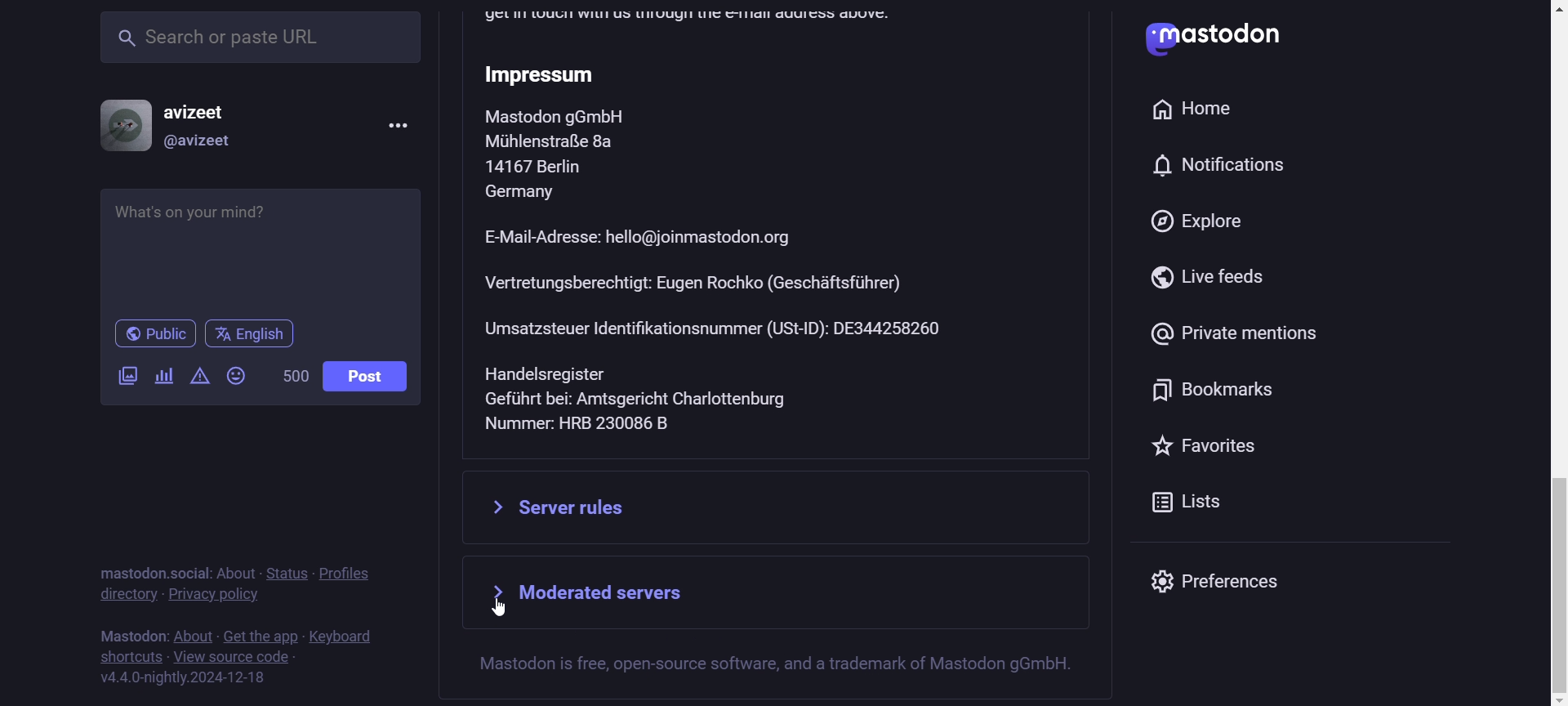 The height and width of the screenshot is (706, 1568). What do you see at coordinates (501, 607) in the screenshot?
I see `cursor` at bounding box center [501, 607].